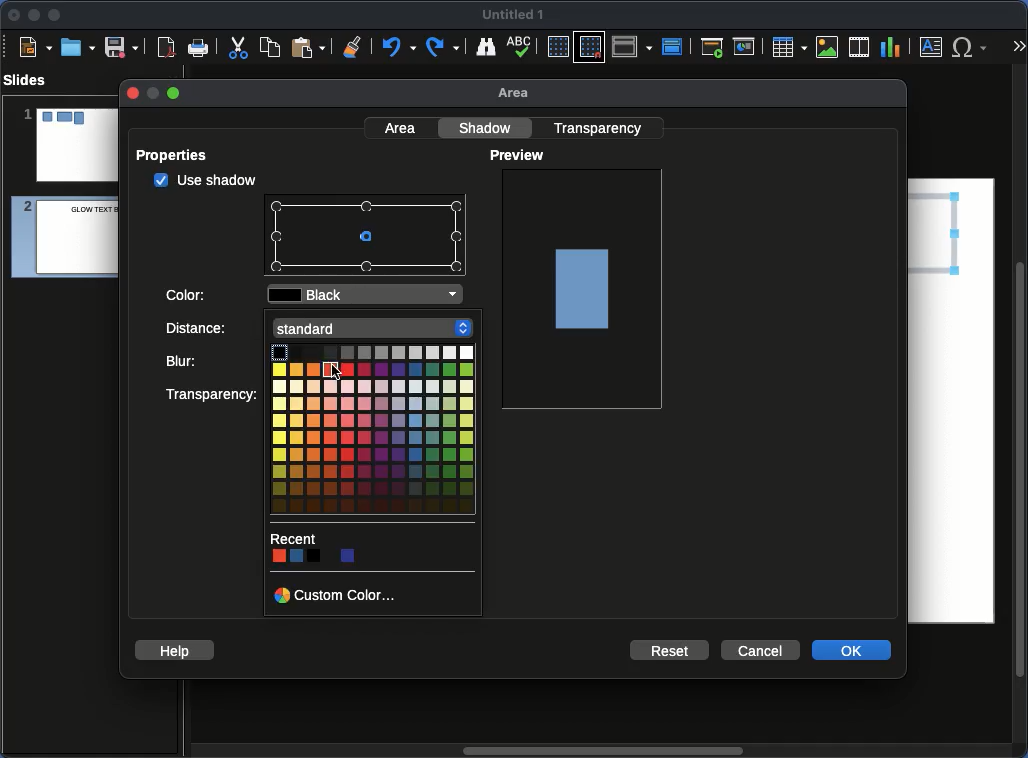 The height and width of the screenshot is (758, 1028). What do you see at coordinates (557, 48) in the screenshot?
I see `Display grid` at bounding box center [557, 48].